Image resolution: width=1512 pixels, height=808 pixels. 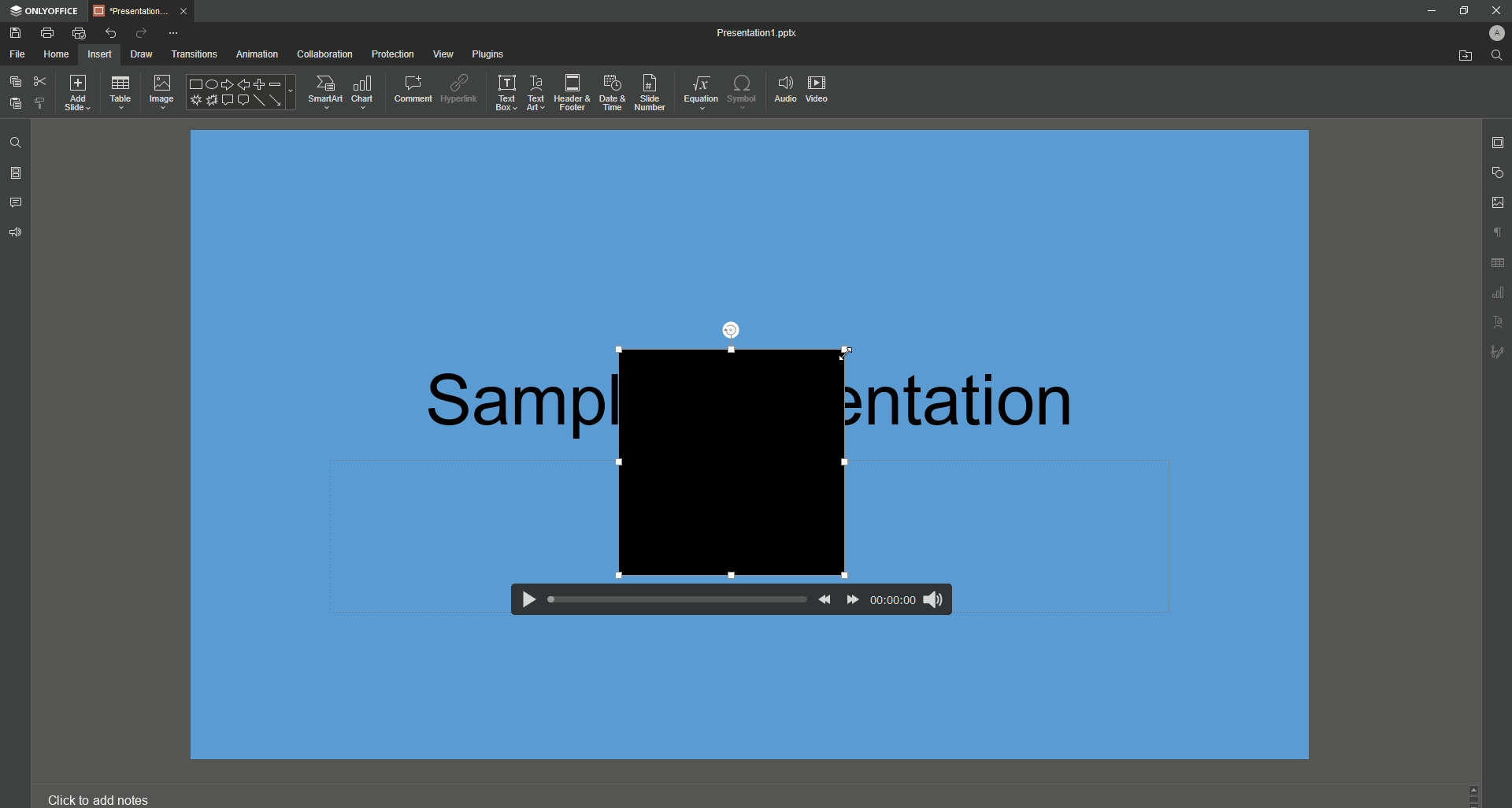 I want to click on presentation..., so click(x=146, y=9).